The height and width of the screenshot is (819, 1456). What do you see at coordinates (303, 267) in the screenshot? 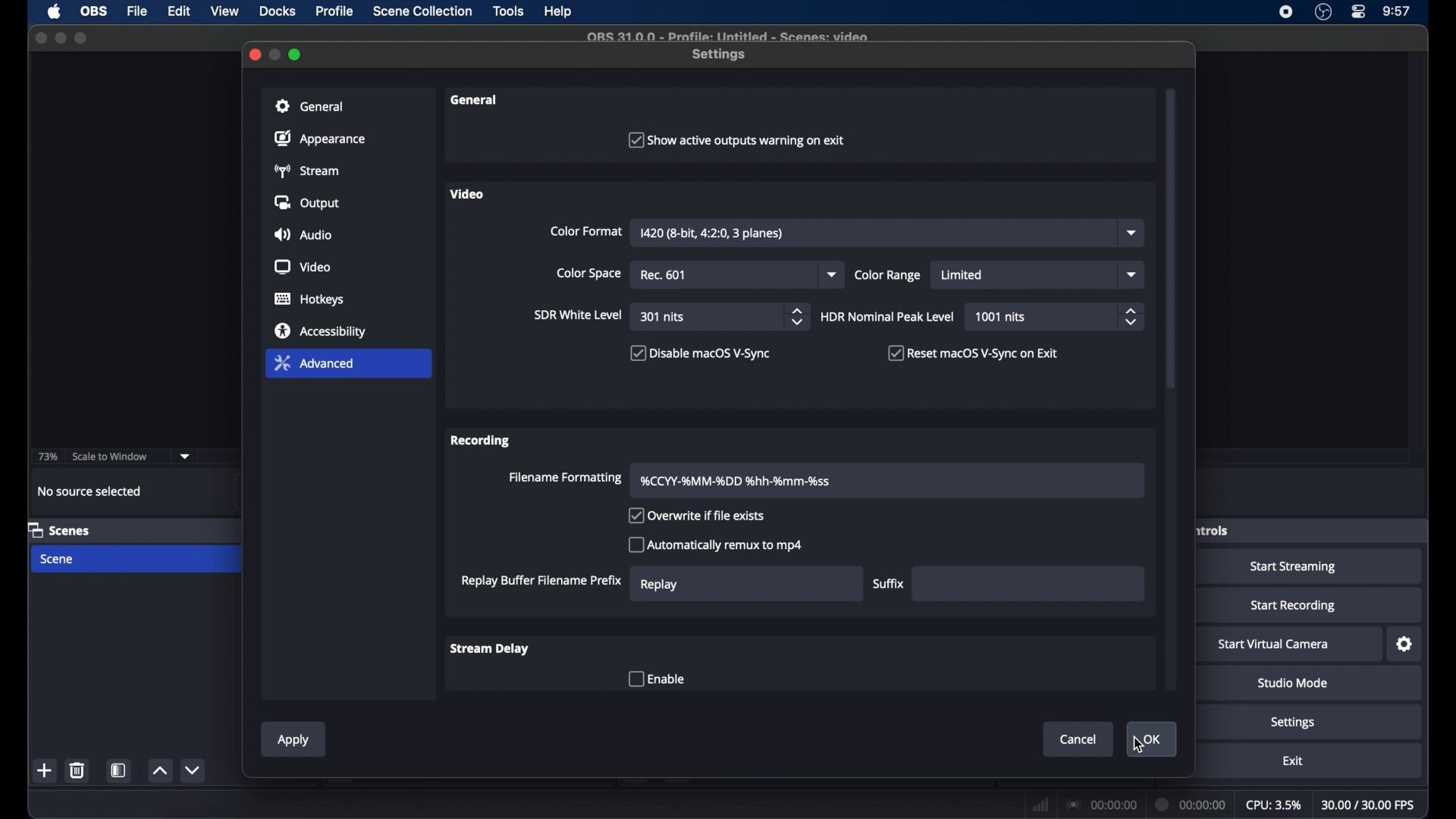
I see `video` at bounding box center [303, 267].